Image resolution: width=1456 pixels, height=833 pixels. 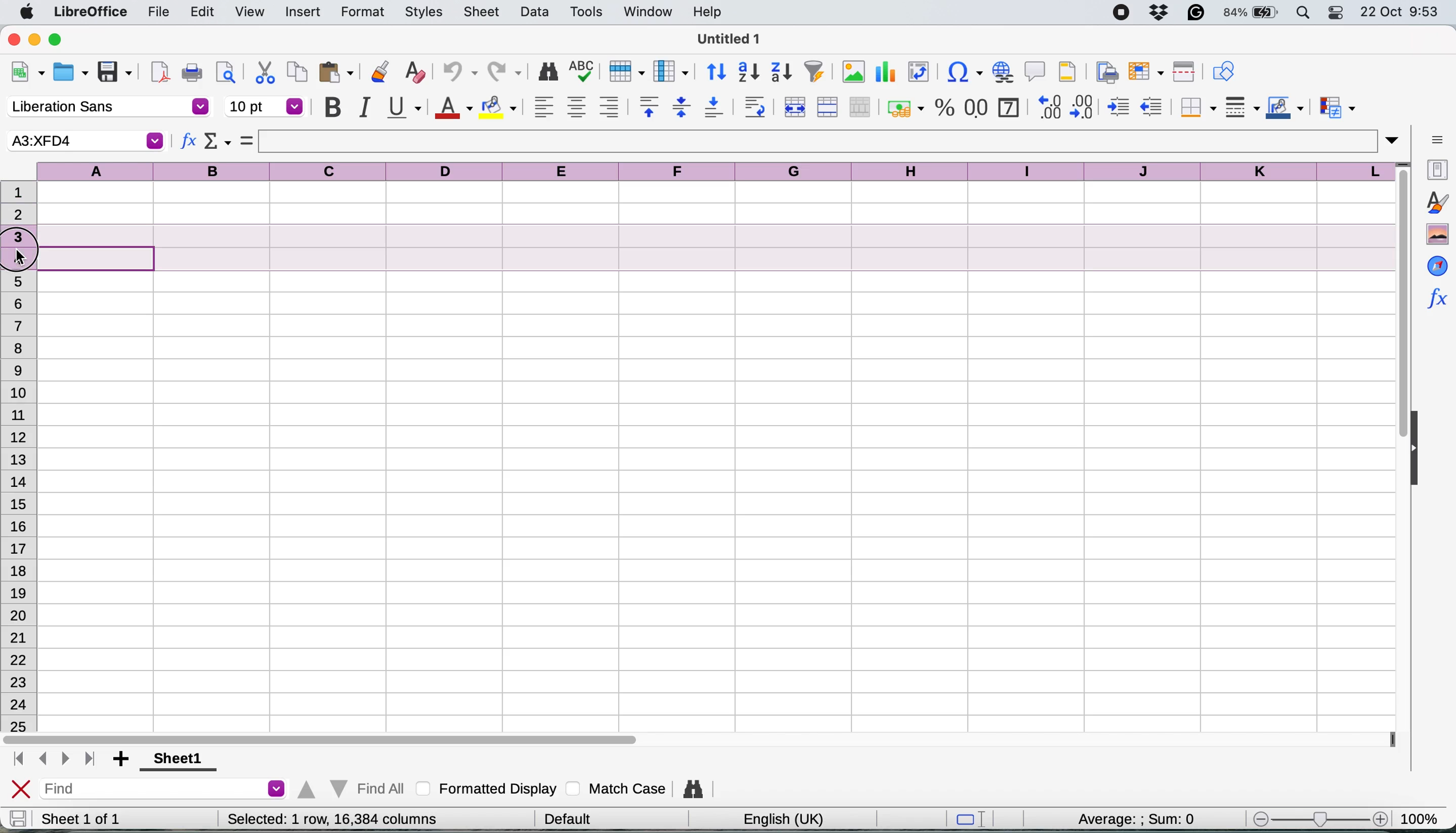 What do you see at coordinates (544, 106) in the screenshot?
I see `align left` at bounding box center [544, 106].